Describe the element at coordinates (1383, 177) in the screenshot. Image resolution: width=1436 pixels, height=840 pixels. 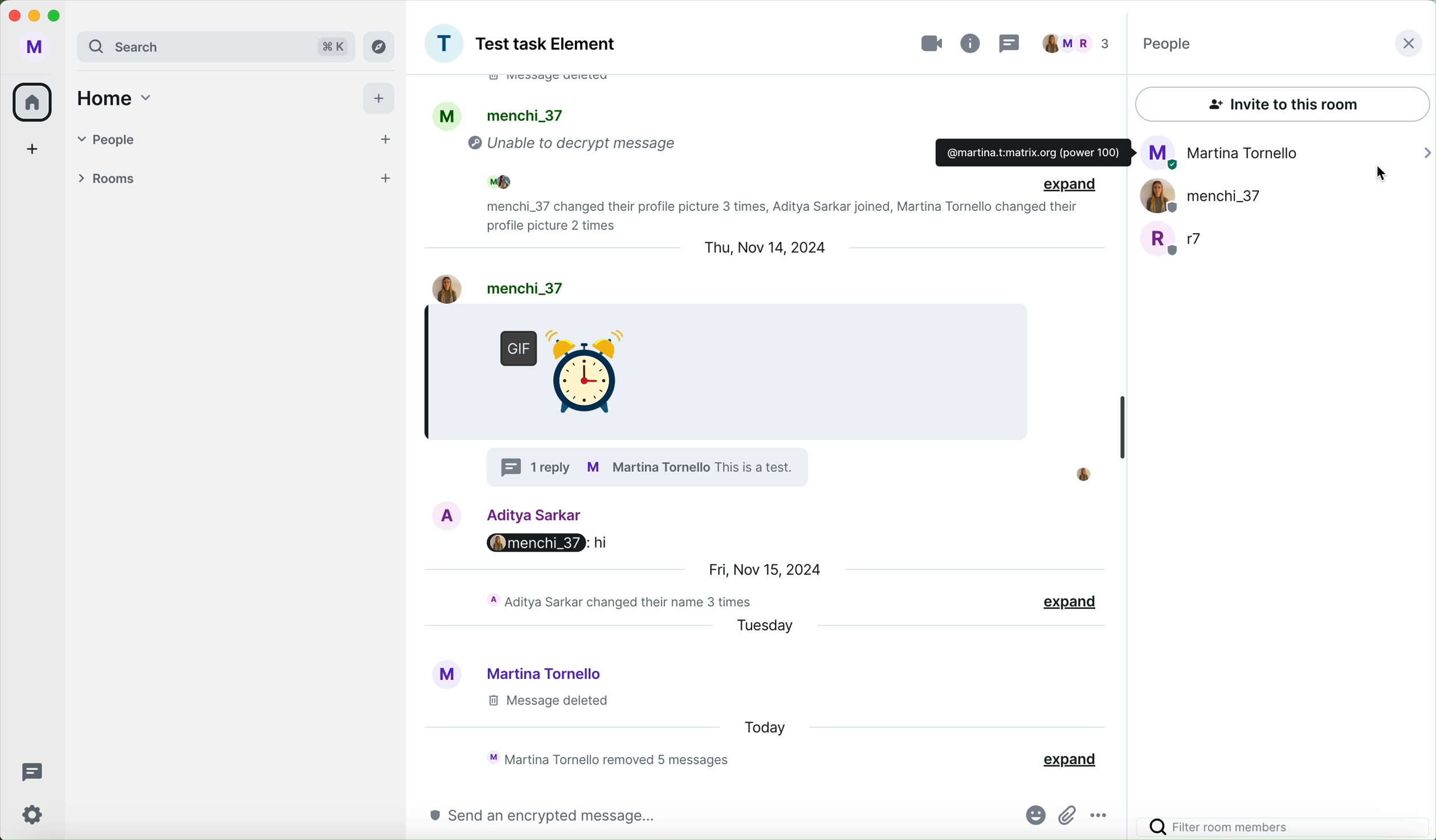
I see `cursor` at that location.